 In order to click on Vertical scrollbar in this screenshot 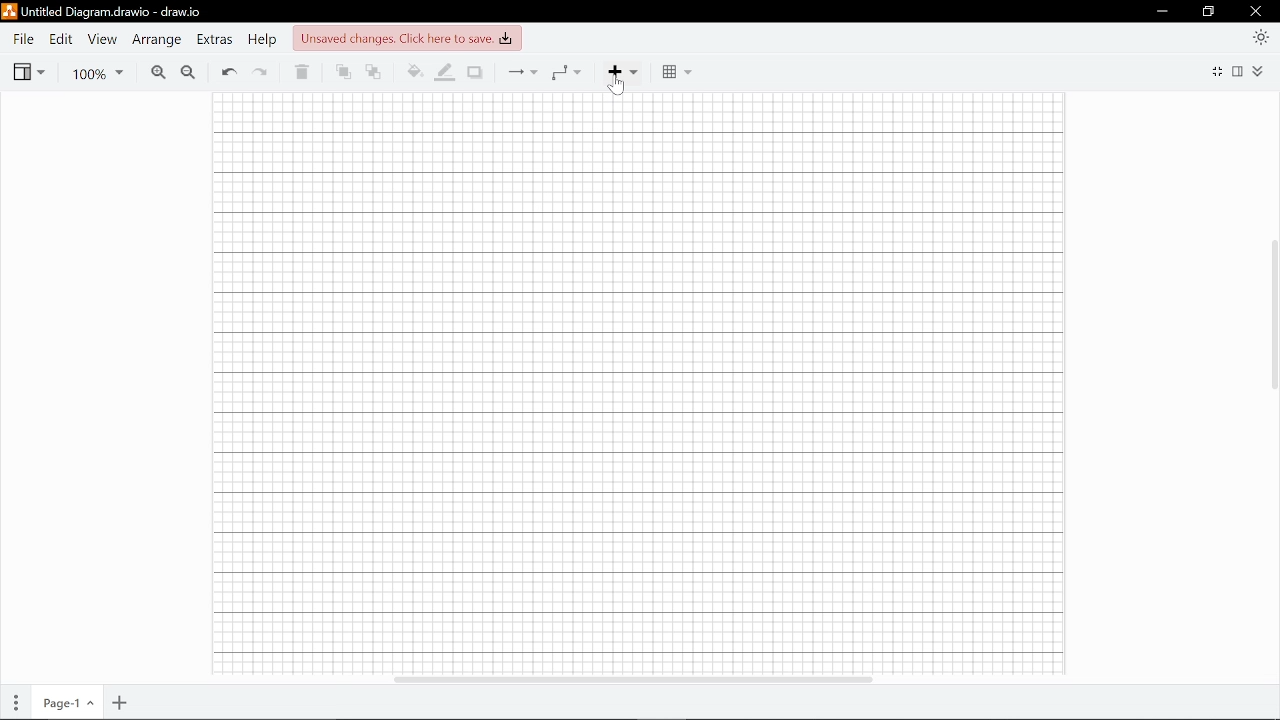, I will do `click(1272, 311)`.